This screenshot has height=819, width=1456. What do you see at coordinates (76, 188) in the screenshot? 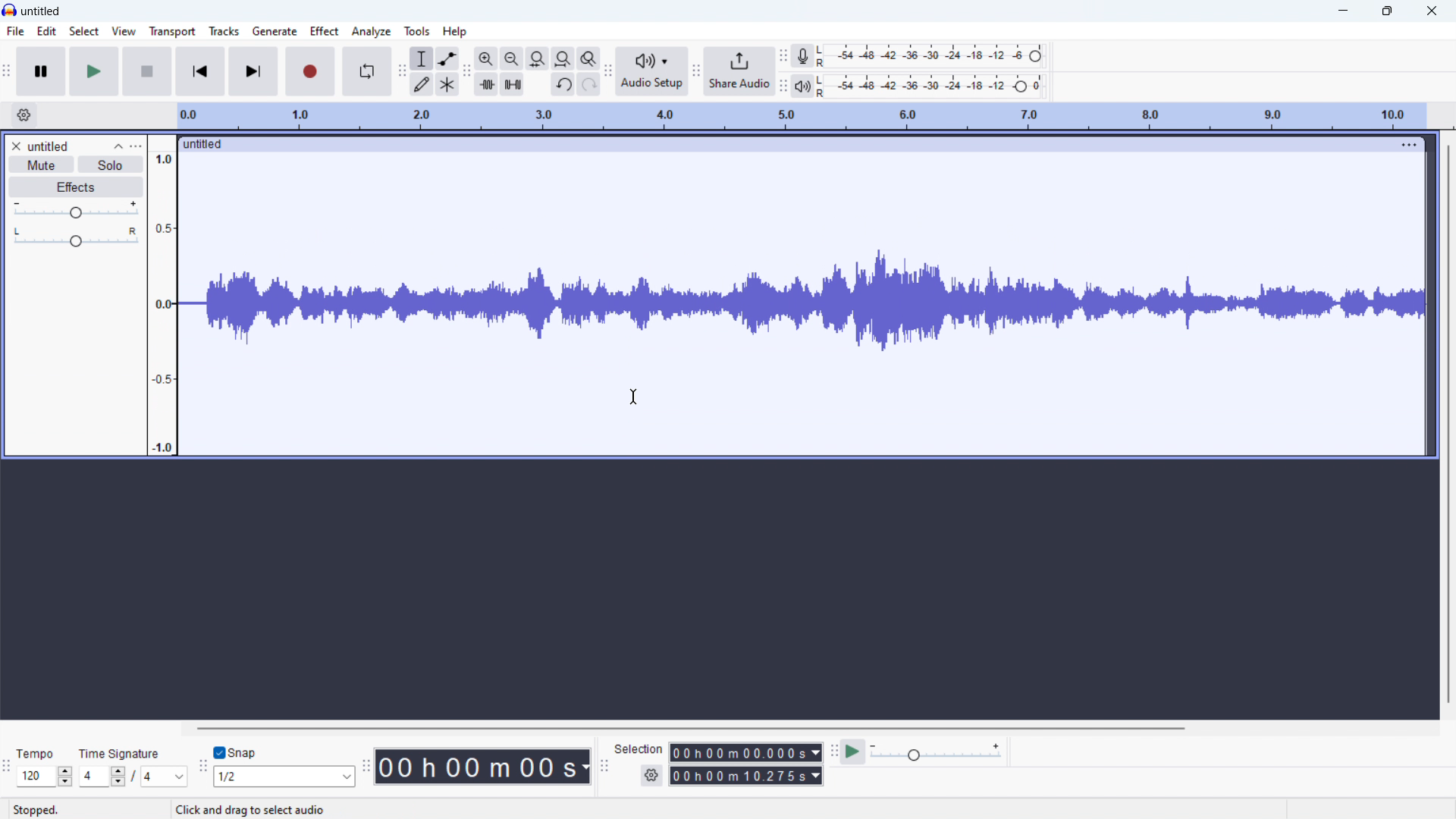
I see `effects` at bounding box center [76, 188].